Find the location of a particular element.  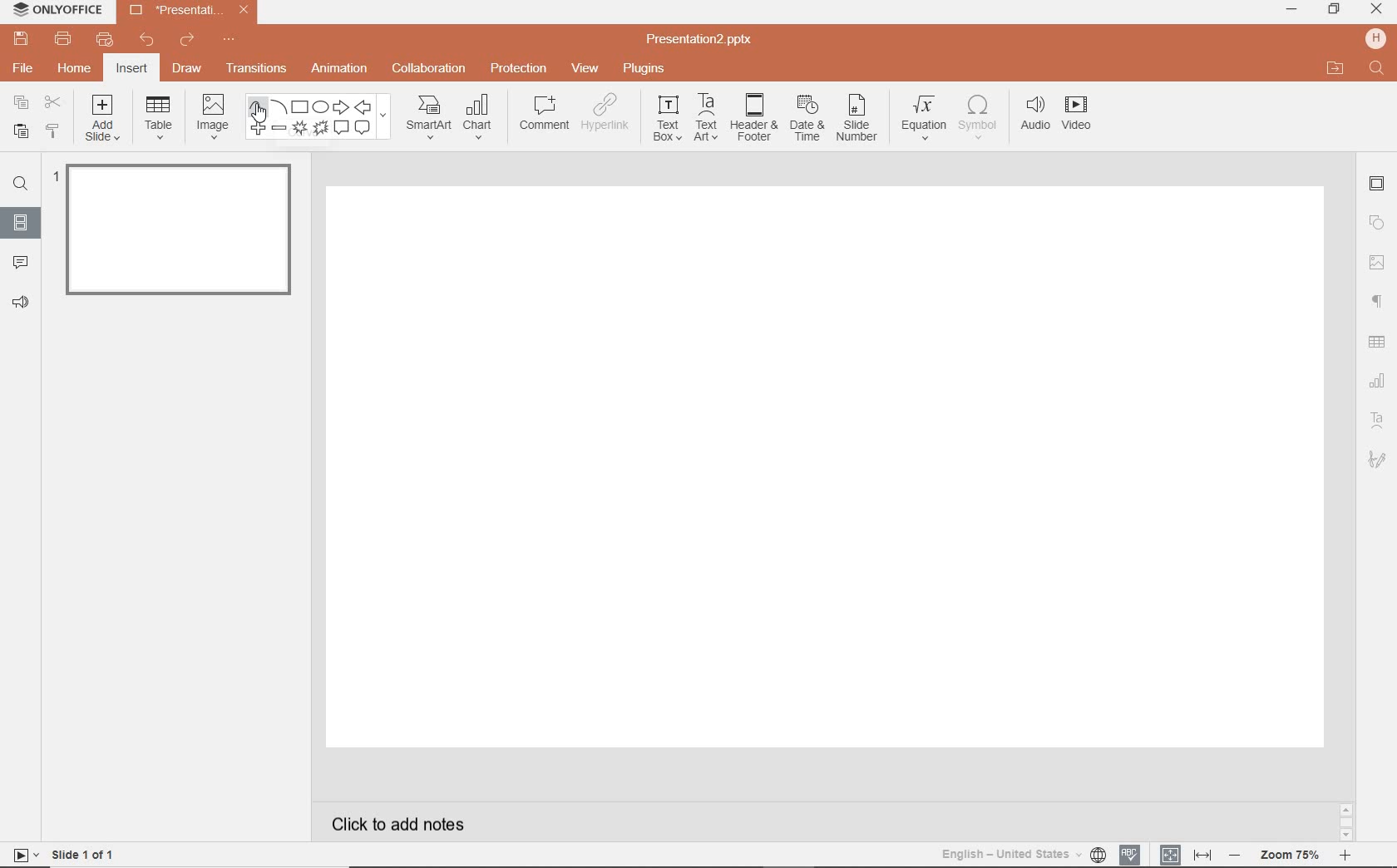

REDO is located at coordinates (187, 41).